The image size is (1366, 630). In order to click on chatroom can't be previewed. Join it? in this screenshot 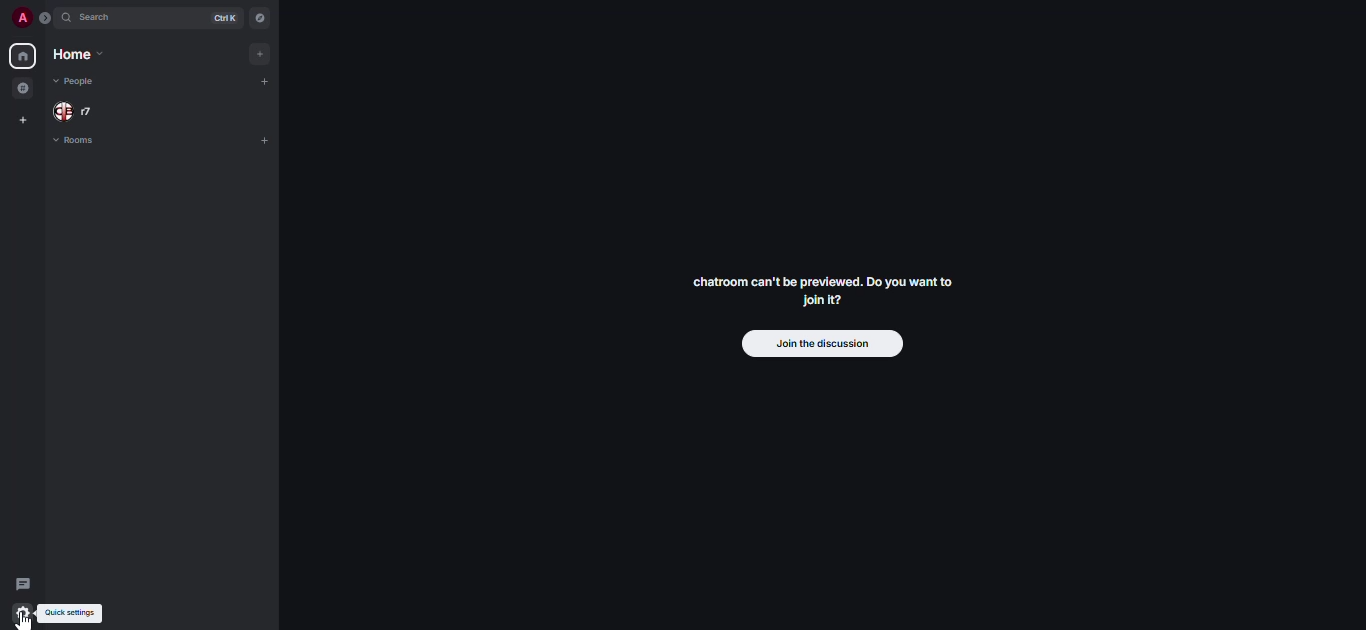, I will do `click(827, 292)`.